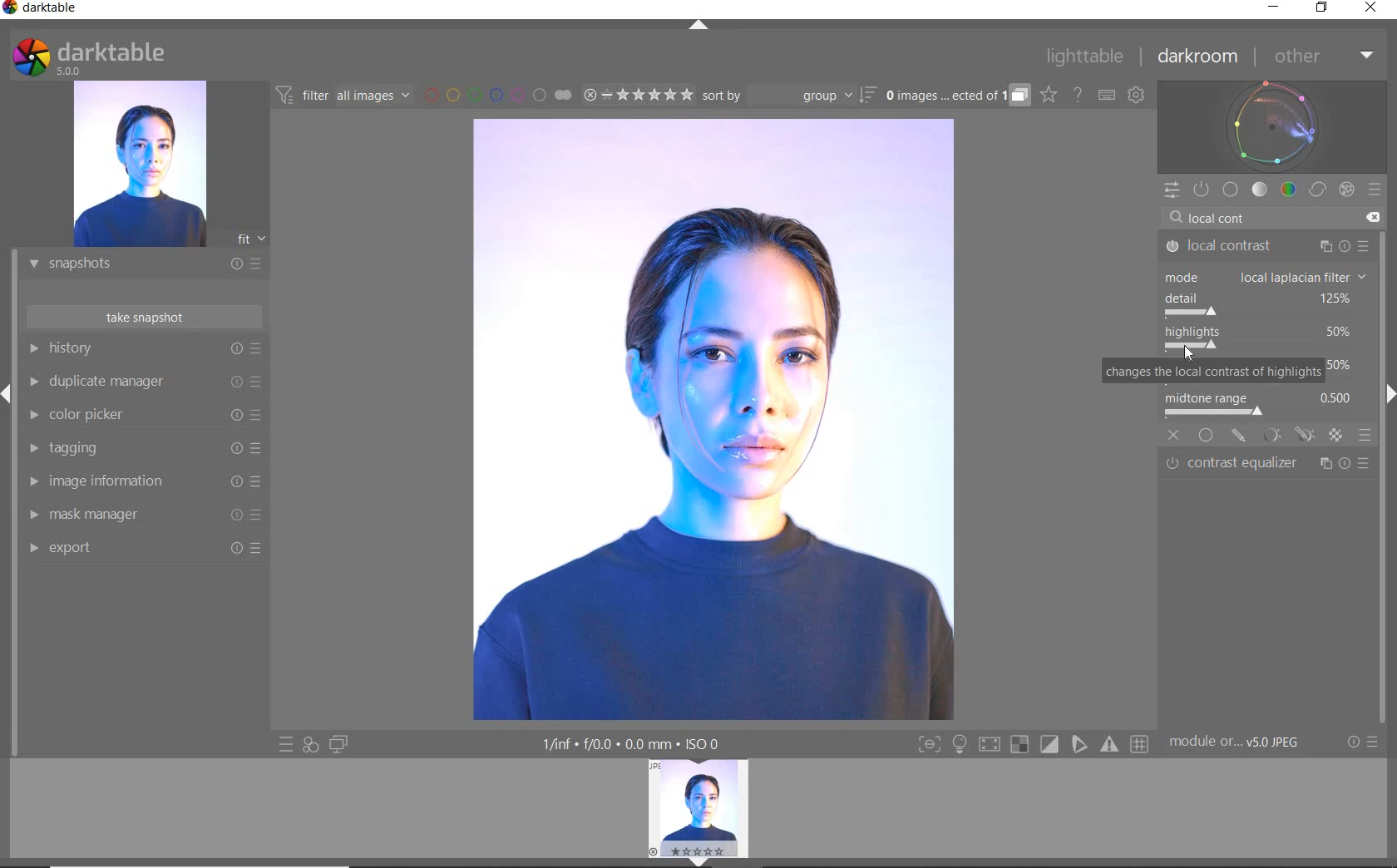 The image size is (1397, 868). I want to click on TONE, so click(1261, 190).